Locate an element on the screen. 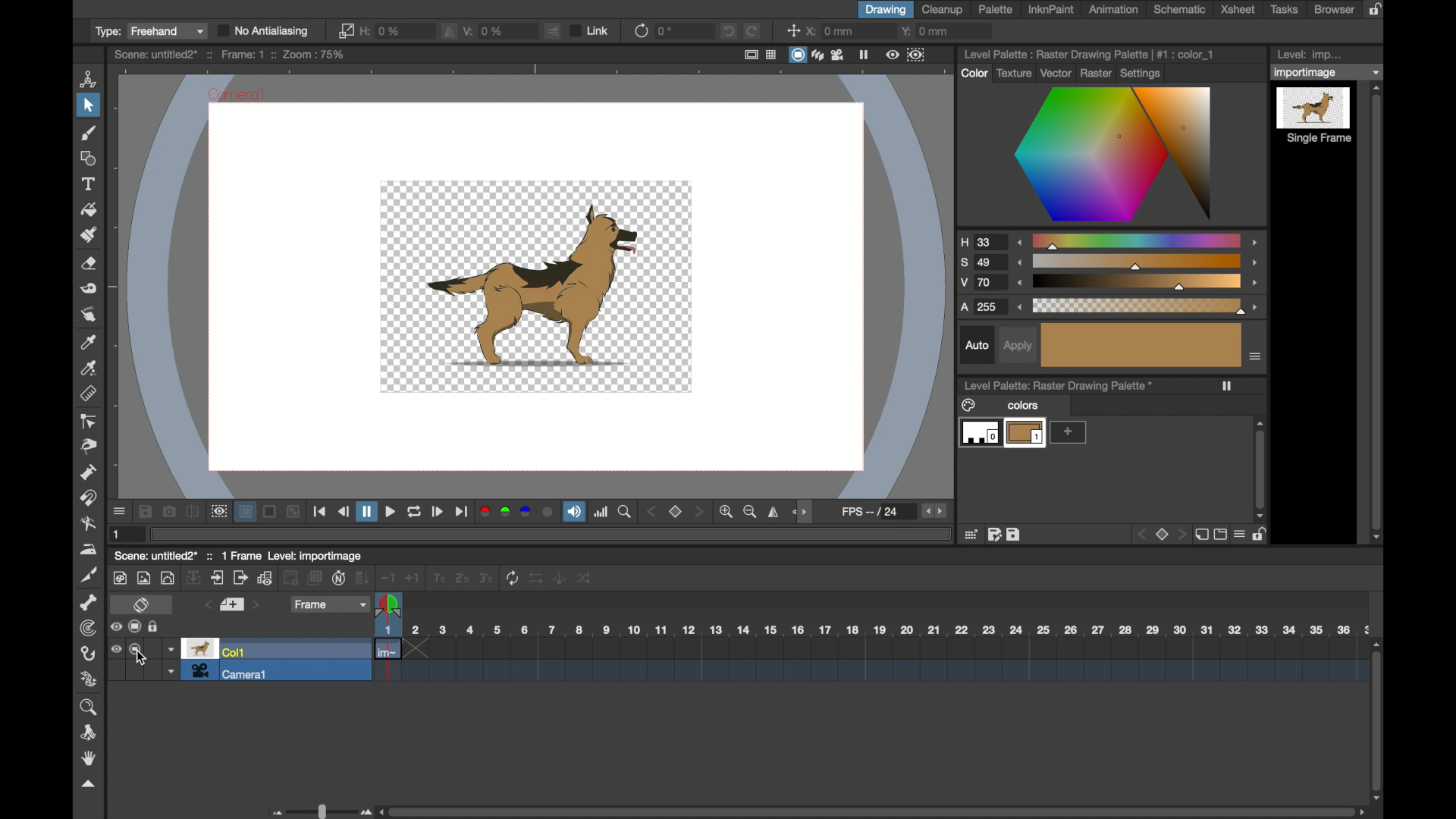  dropdown is located at coordinates (171, 671).